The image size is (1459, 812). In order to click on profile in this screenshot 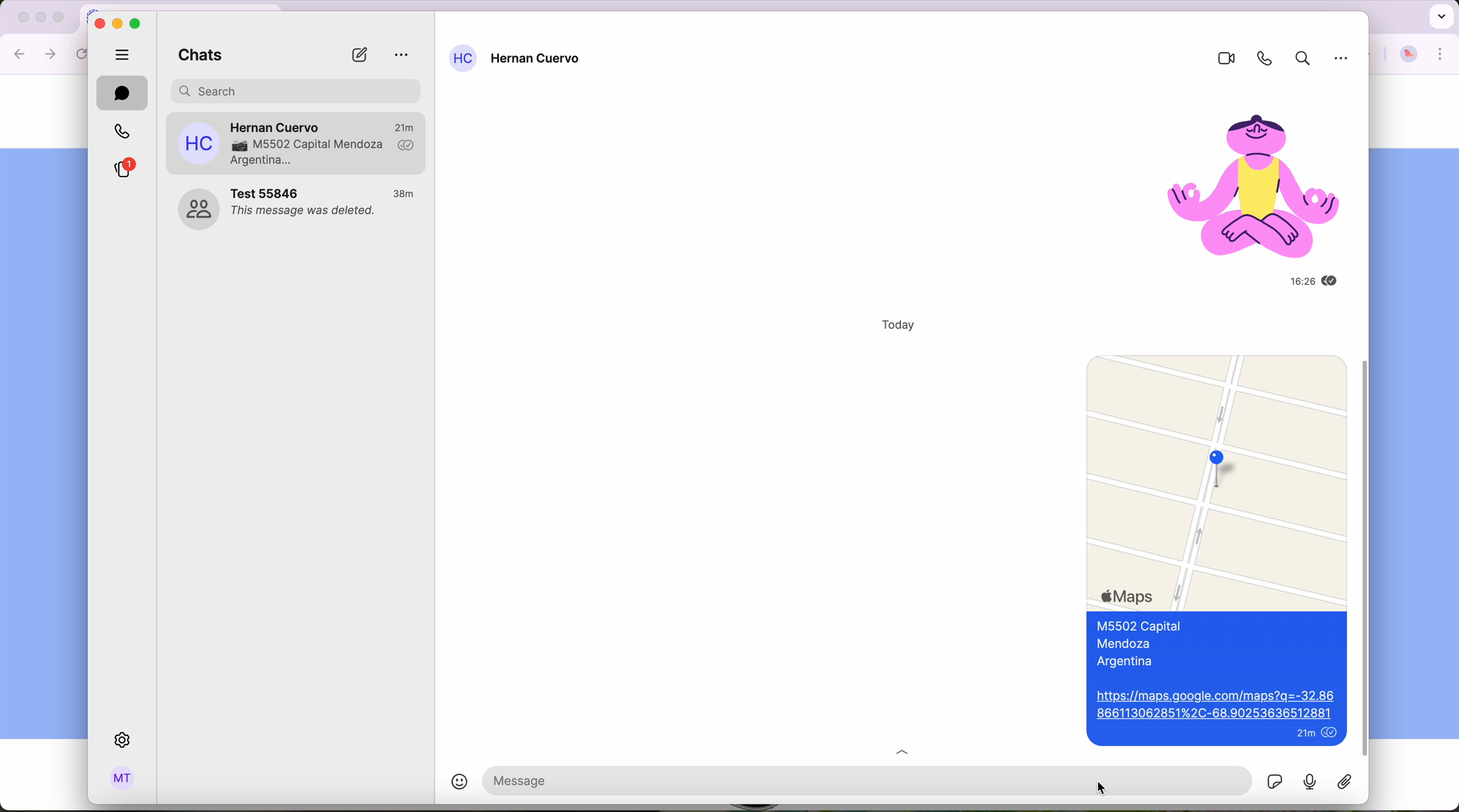, I will do `click(123, 780)`.